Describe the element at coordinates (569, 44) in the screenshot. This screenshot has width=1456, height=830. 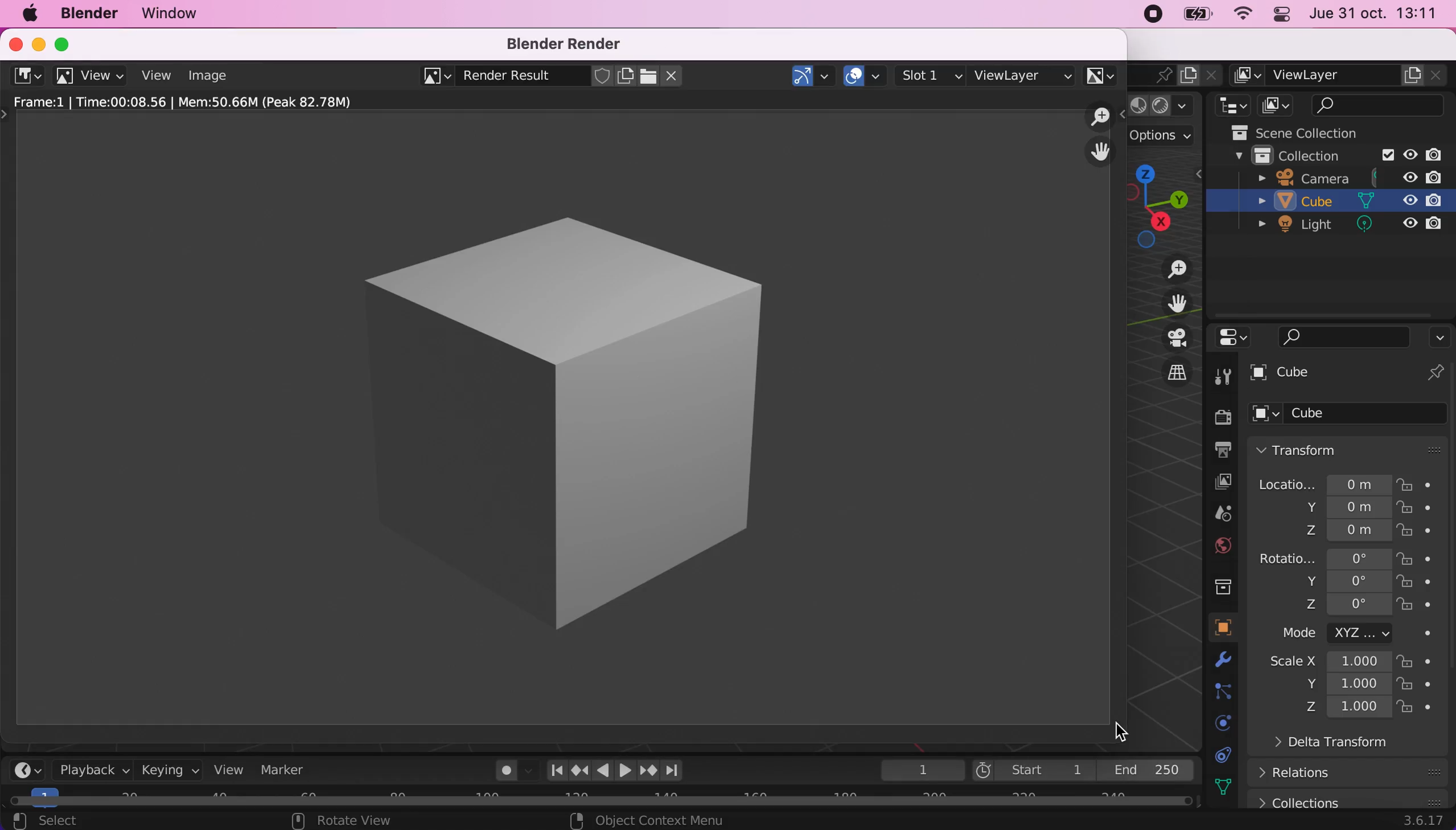
I see `blender render` at that location.